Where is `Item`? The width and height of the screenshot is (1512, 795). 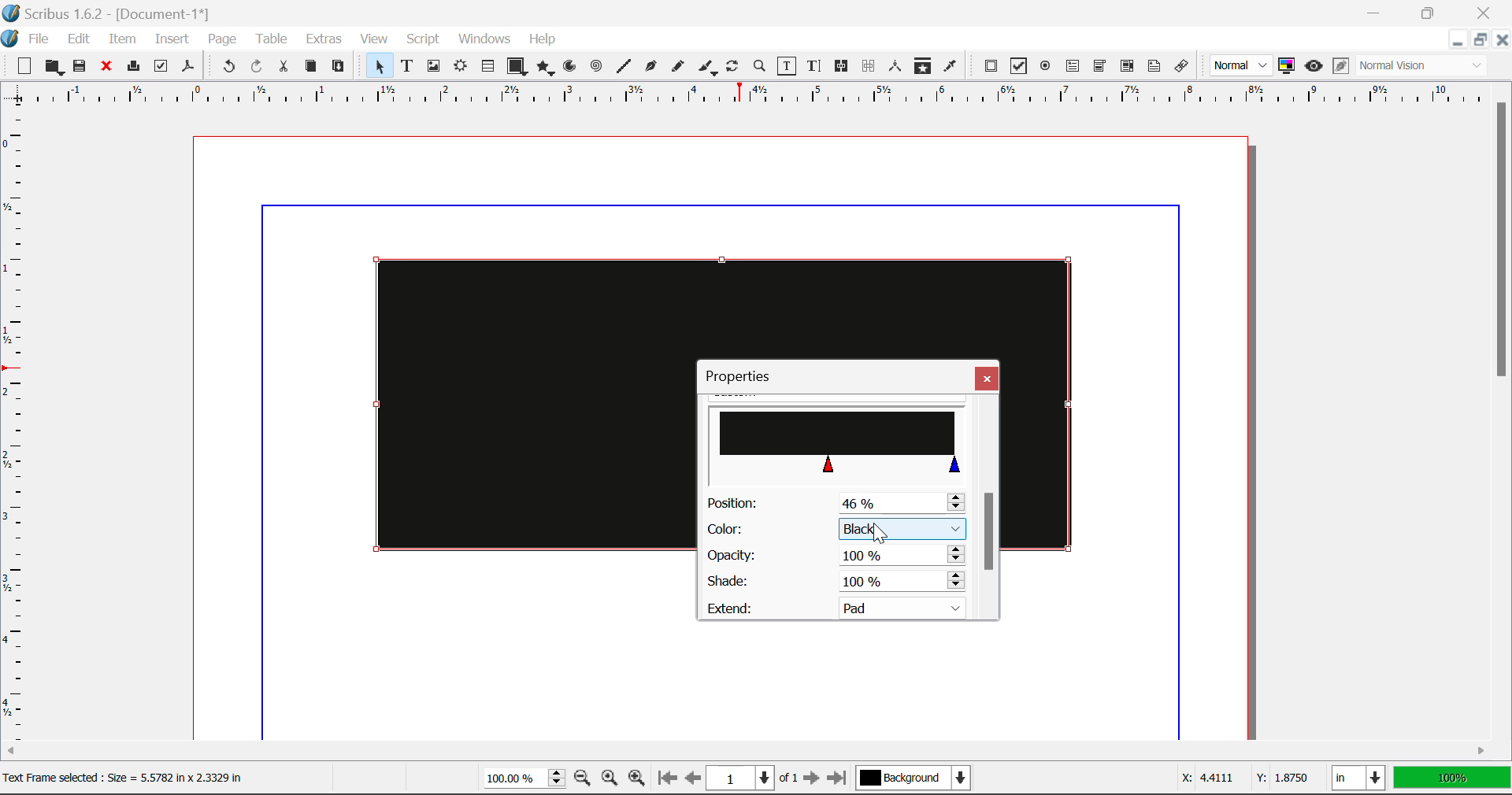 Item is located at coordinates (123, 41).